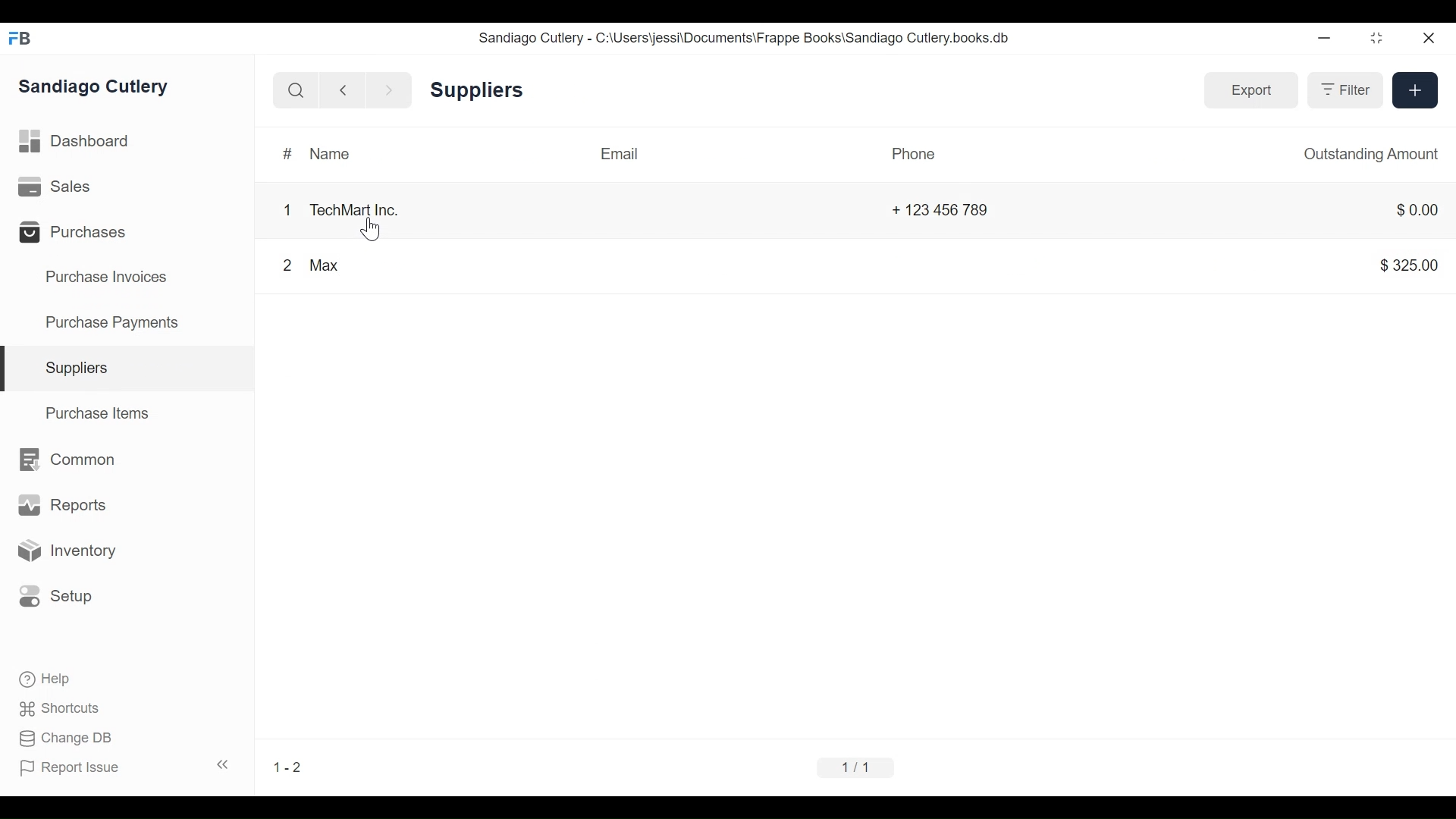  I want to click on $325.00, so click(1404, 267).